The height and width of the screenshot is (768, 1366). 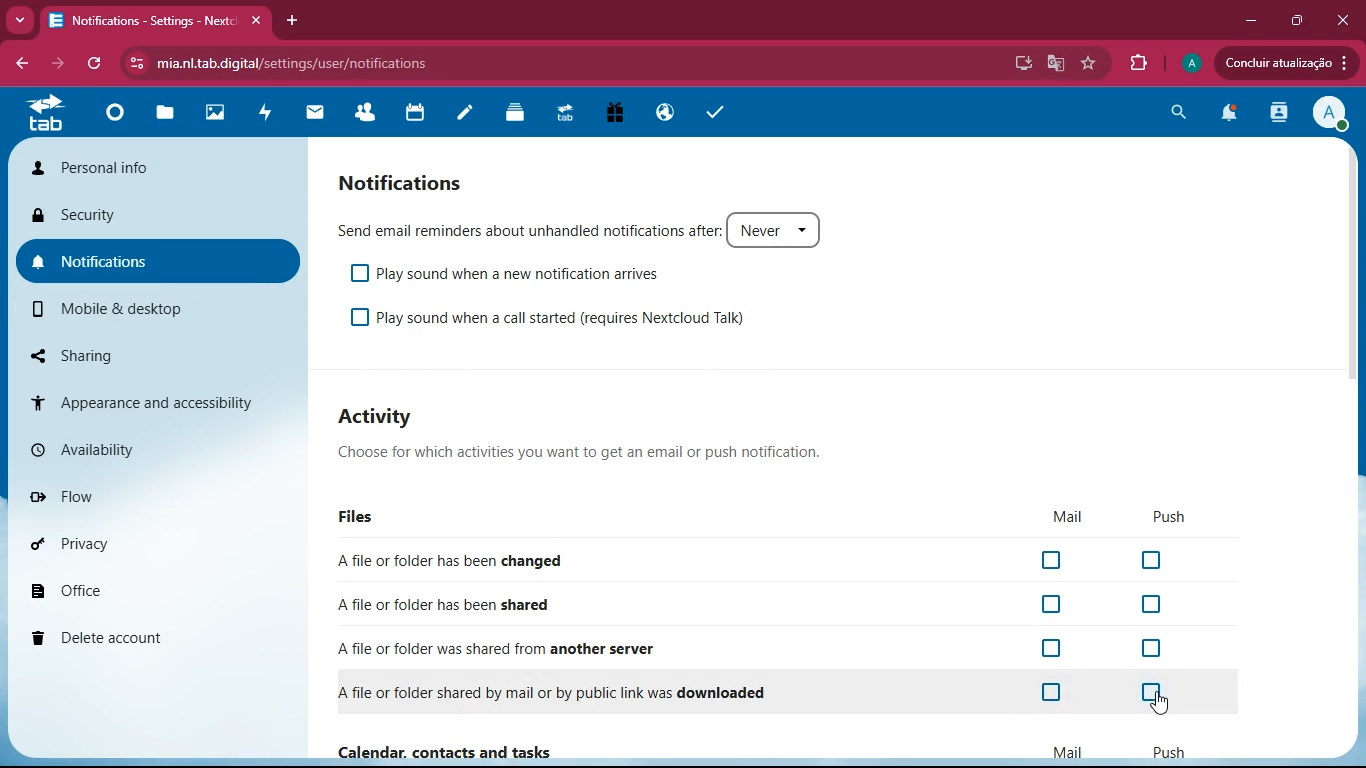 What do you see at coordinates (510, 115) in the screenshot?
I see `layers` at bounding box center [510, 115].